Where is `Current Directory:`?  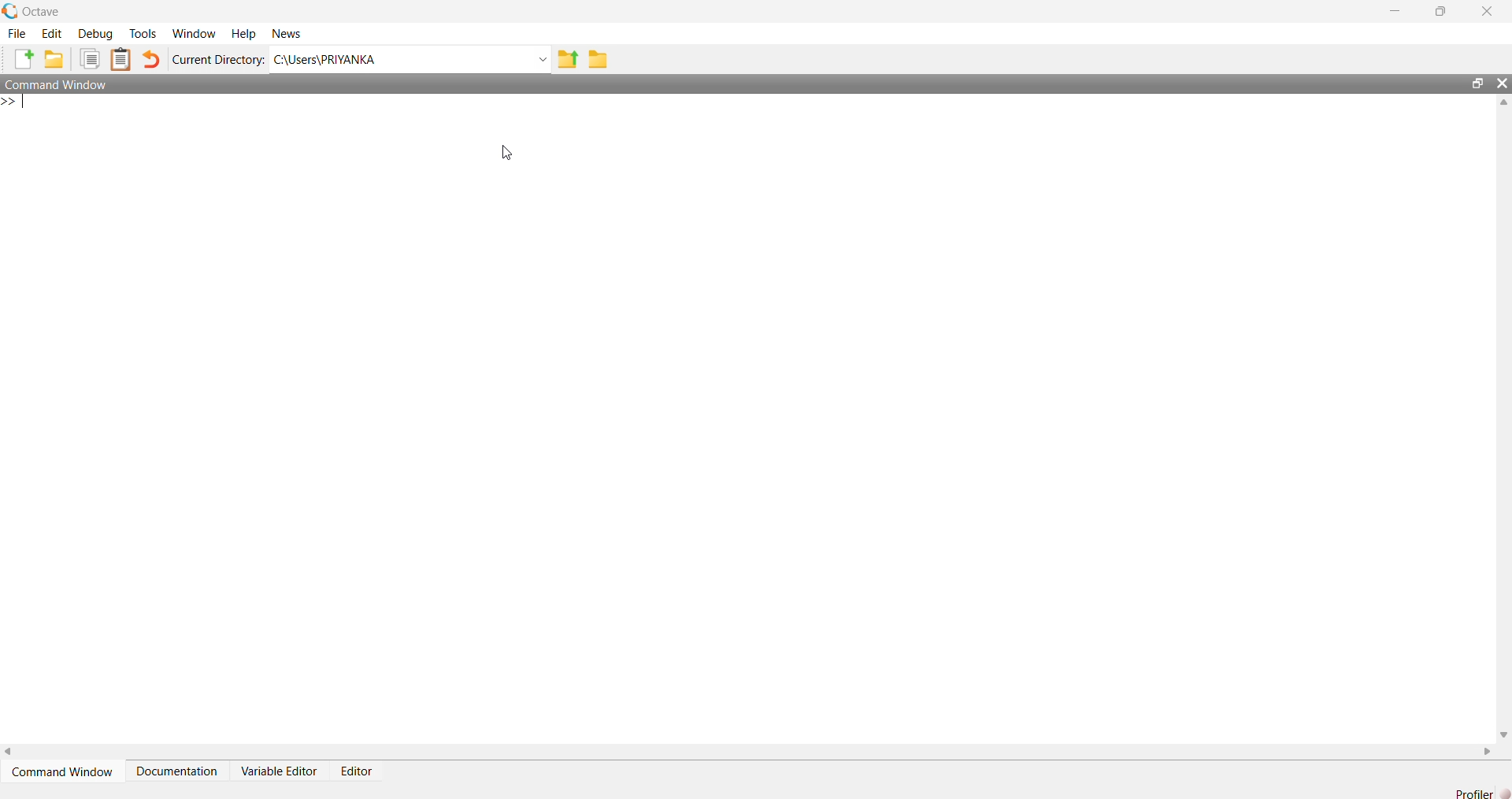 Current Directory: is located at coordinates (217, 59).